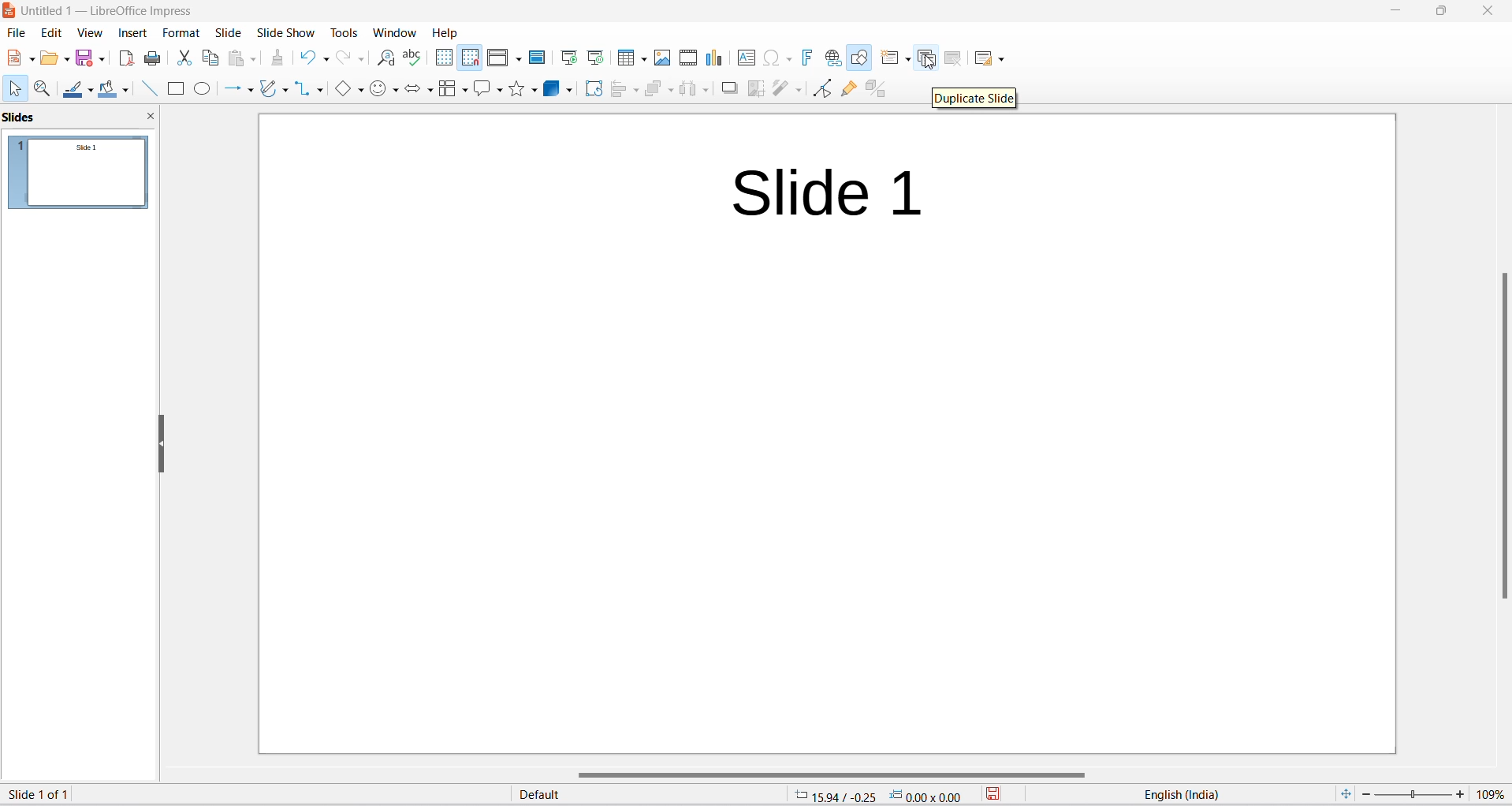 The width and height of the screenshot is (1512, 806). What do you see at coordinates (858, 58) in the screenshot?
I see `show draw functions` at bounding box center [858, 58].